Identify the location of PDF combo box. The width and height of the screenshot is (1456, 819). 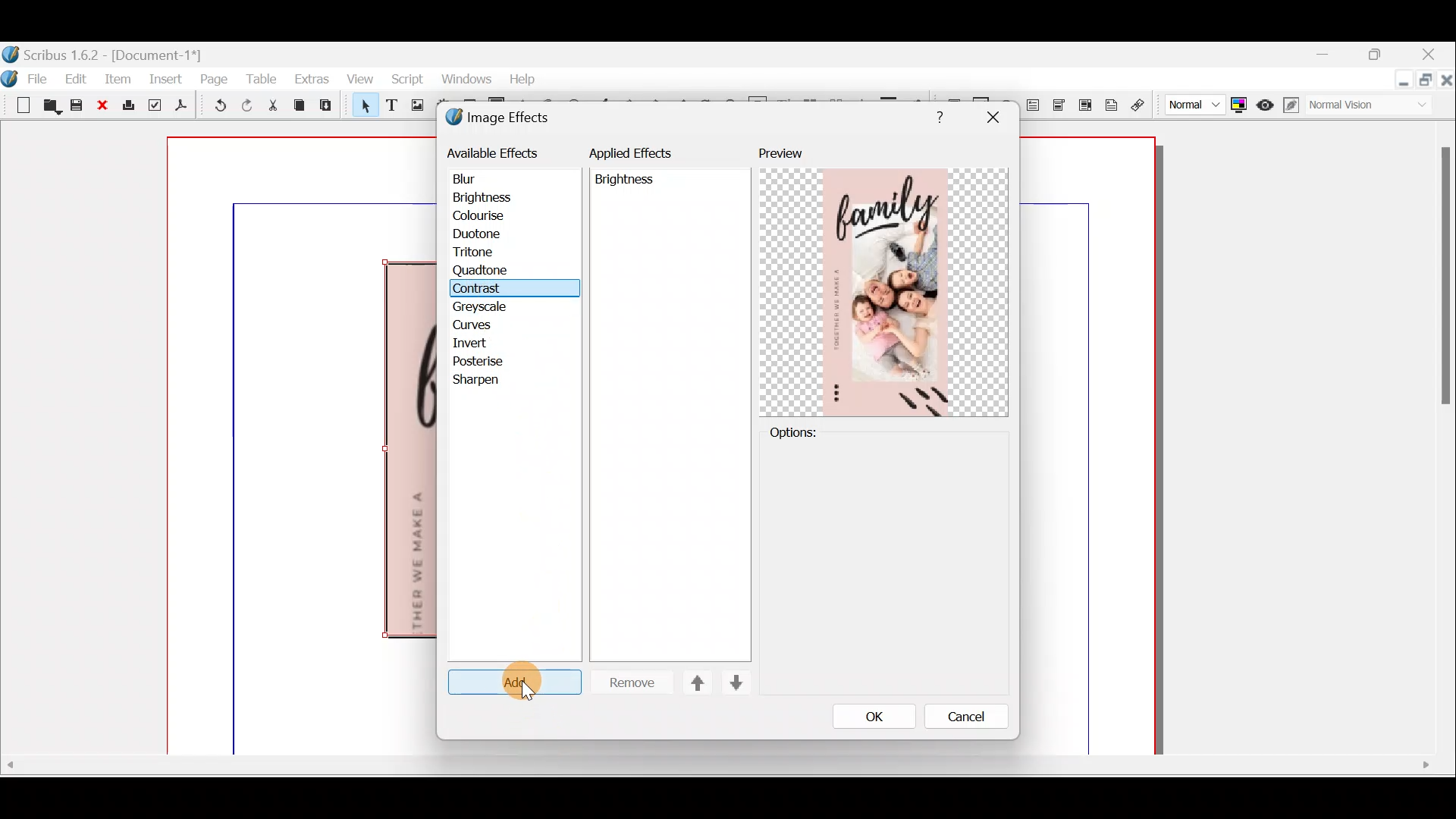
(1060, 105).